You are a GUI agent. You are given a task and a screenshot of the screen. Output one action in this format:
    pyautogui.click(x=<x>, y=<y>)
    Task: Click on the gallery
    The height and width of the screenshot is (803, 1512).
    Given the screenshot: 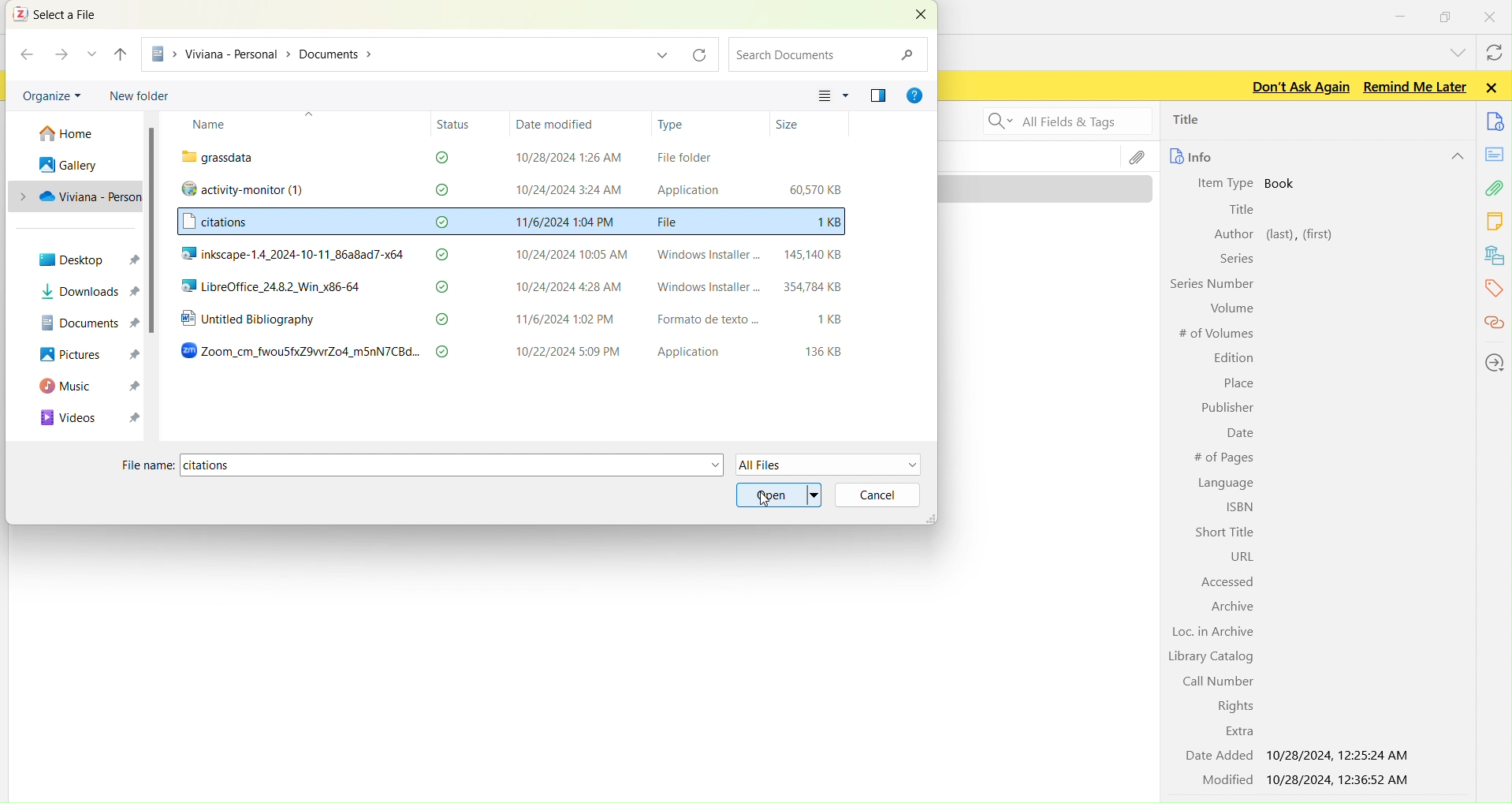 What is the action you would take?
    pyautogui.click(x=75, y=162)
    